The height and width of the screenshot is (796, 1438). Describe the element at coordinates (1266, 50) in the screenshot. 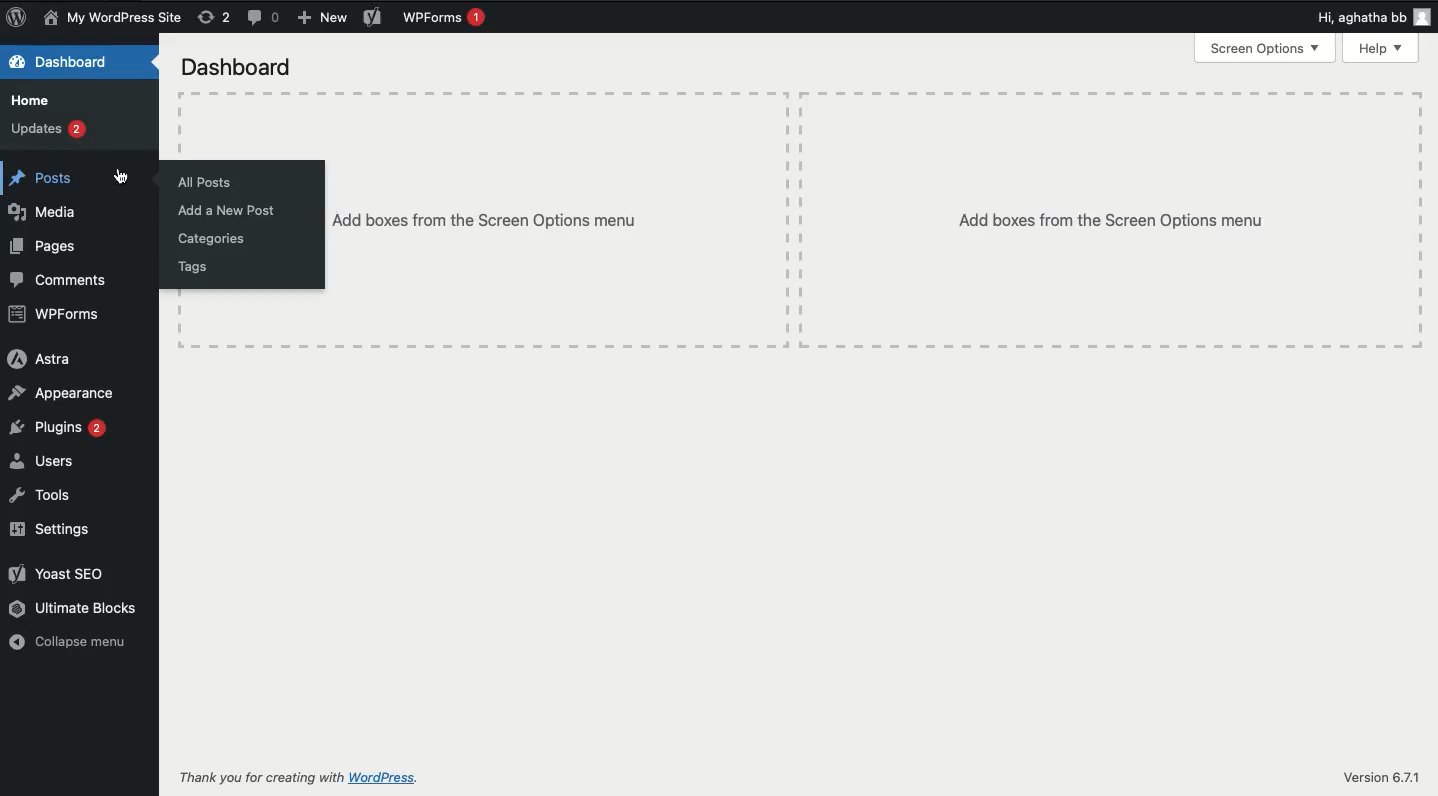

I see `Screen options` at that location.